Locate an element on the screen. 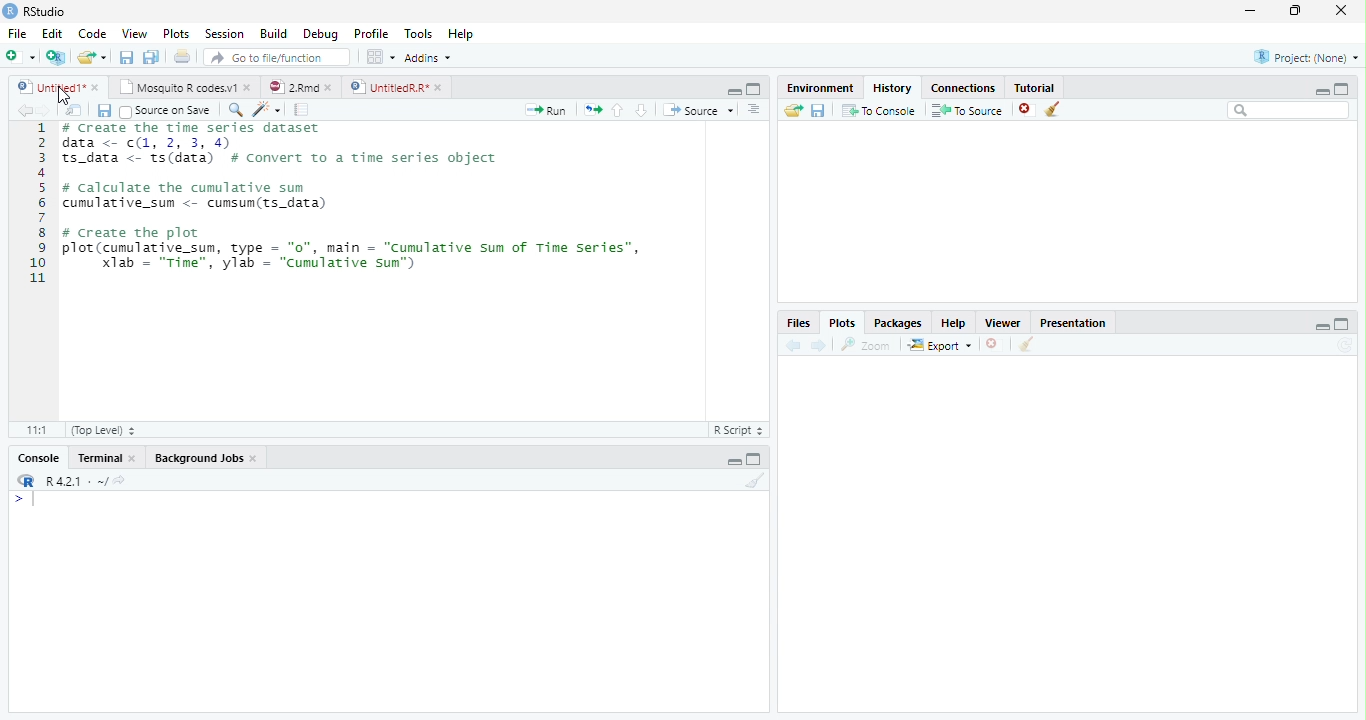  Print is located at coordinates (184, 58).